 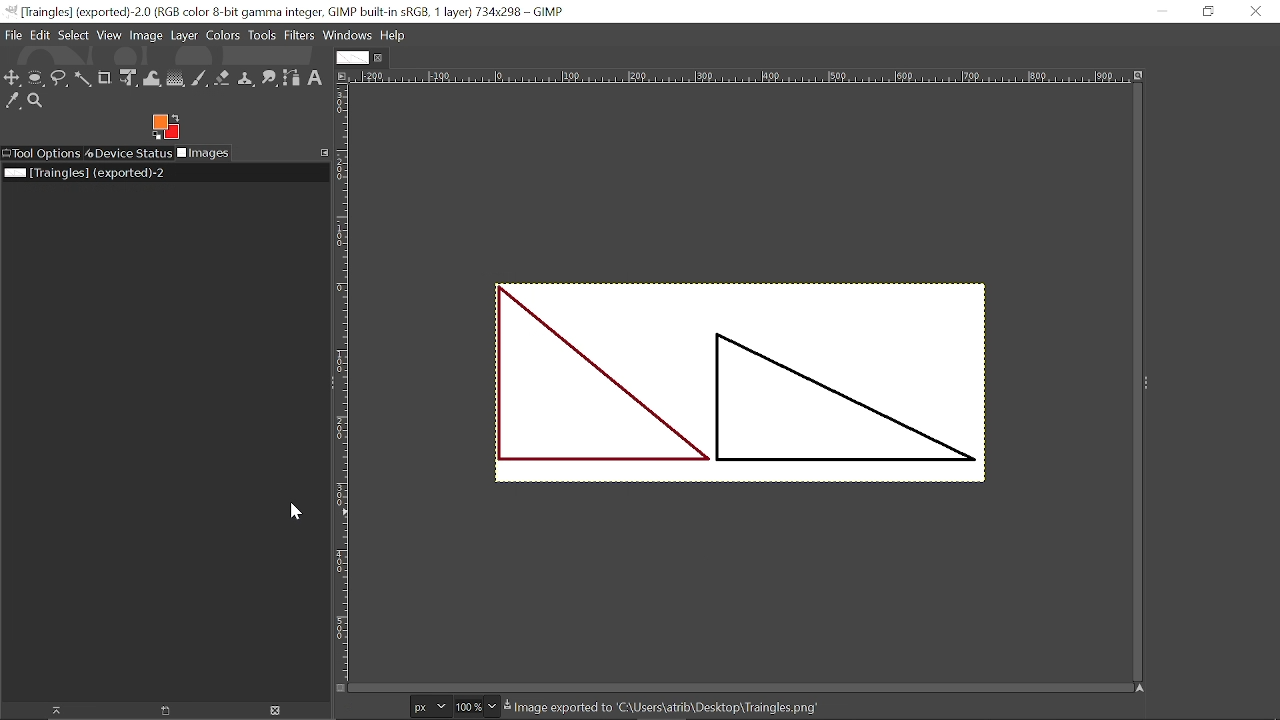 What do you see at coordinates (263, 36) in the screenshot?
I see `Tools` at bounding box center [263, 36].